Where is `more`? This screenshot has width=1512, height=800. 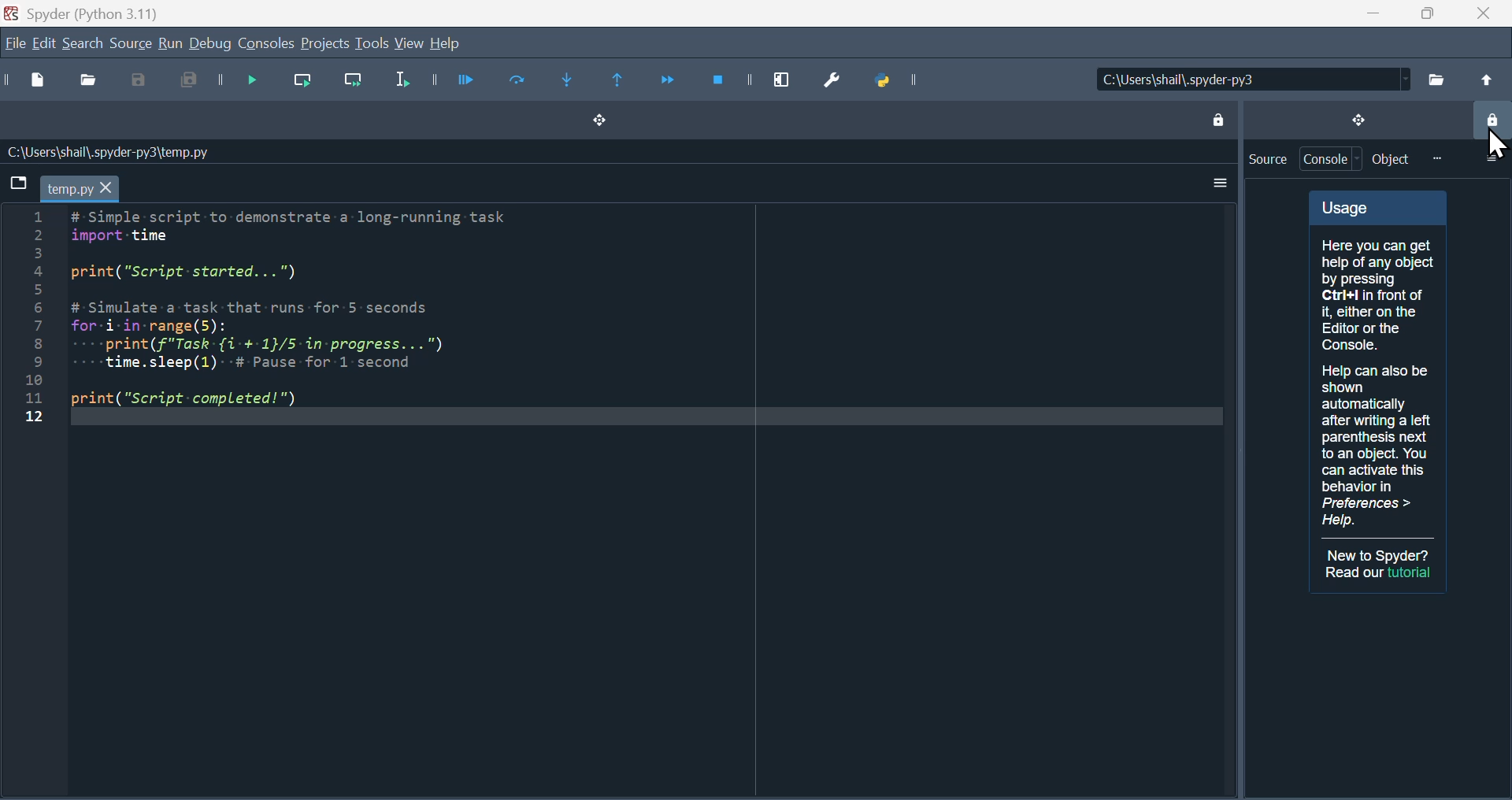 more is located at coordinates (1436, 158).